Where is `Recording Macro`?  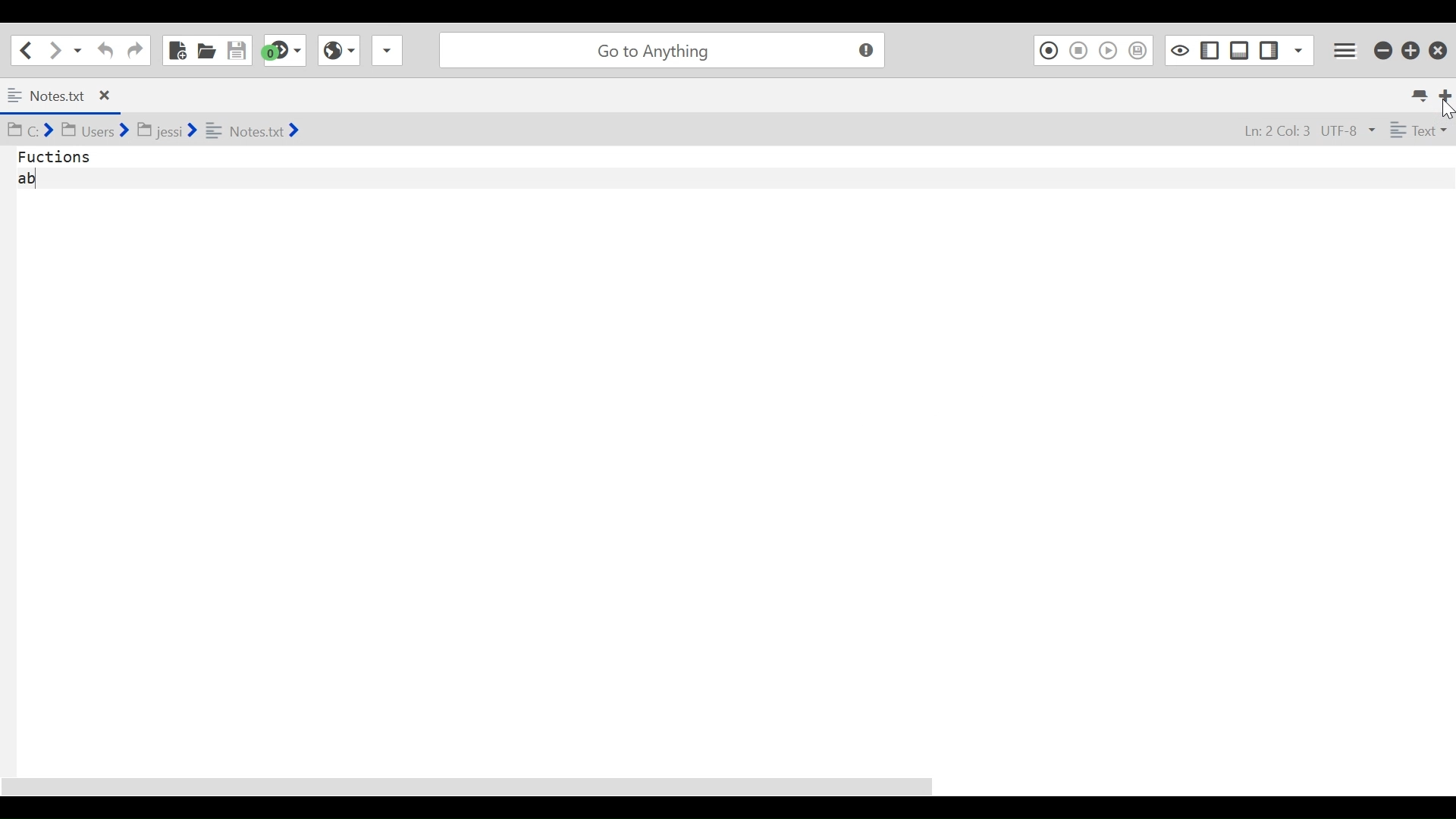
Recording Macro is located at coordinates (1047, 50).